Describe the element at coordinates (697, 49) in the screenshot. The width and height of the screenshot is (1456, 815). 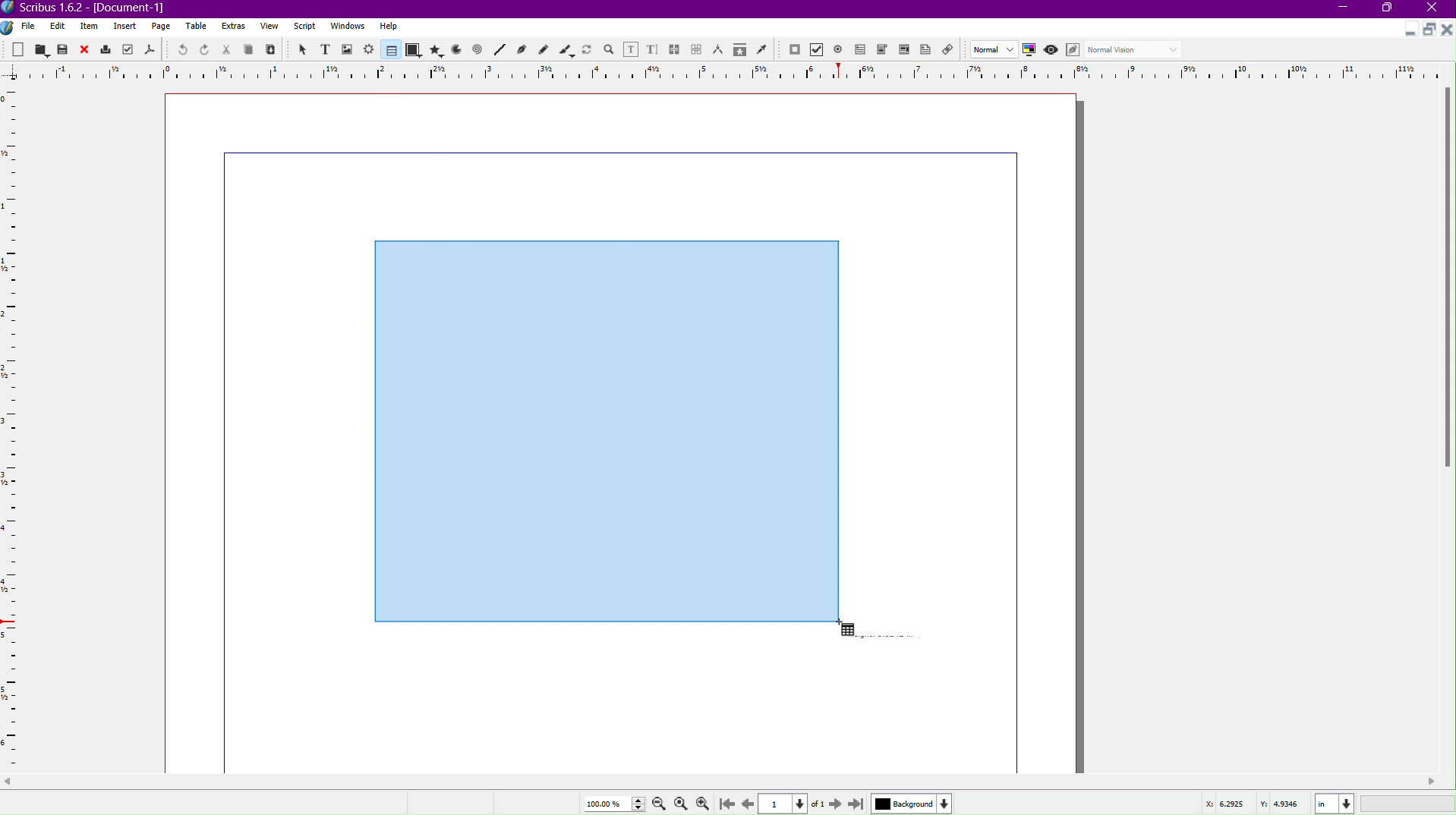
I see `Unlink Text Frames` at that location.